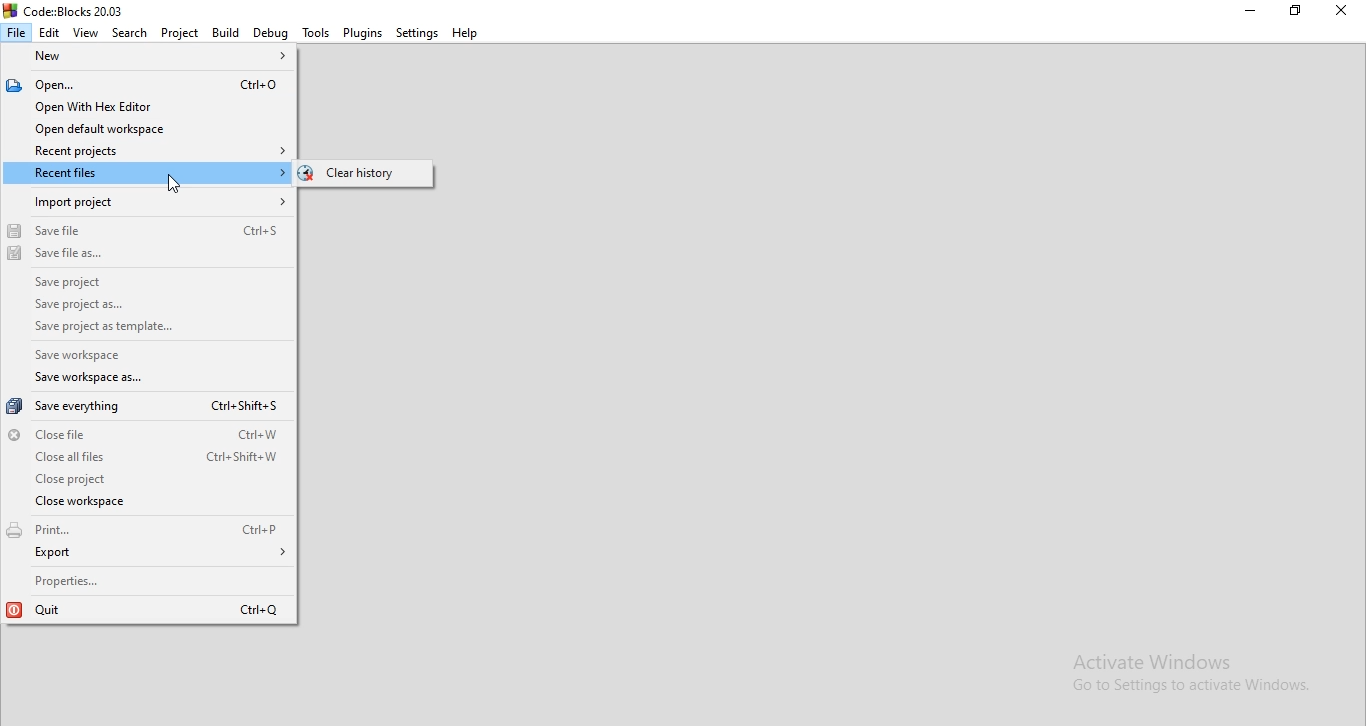  Describe the element at coordinates (1295, 11) in the screenshot. I see `Restore` at that location.